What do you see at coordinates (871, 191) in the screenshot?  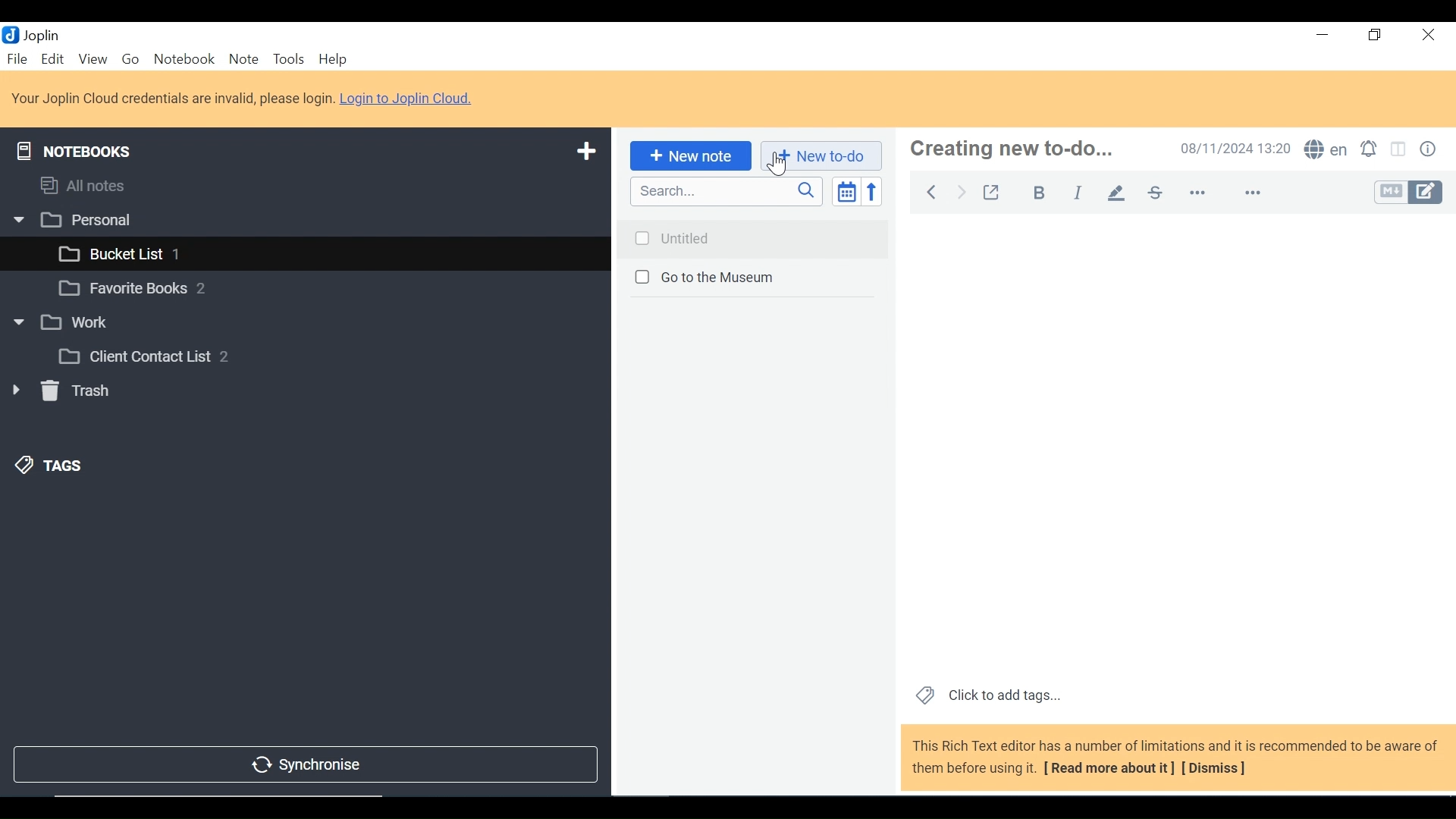 I see `Reverse Order` at bounding box center [871, 191].